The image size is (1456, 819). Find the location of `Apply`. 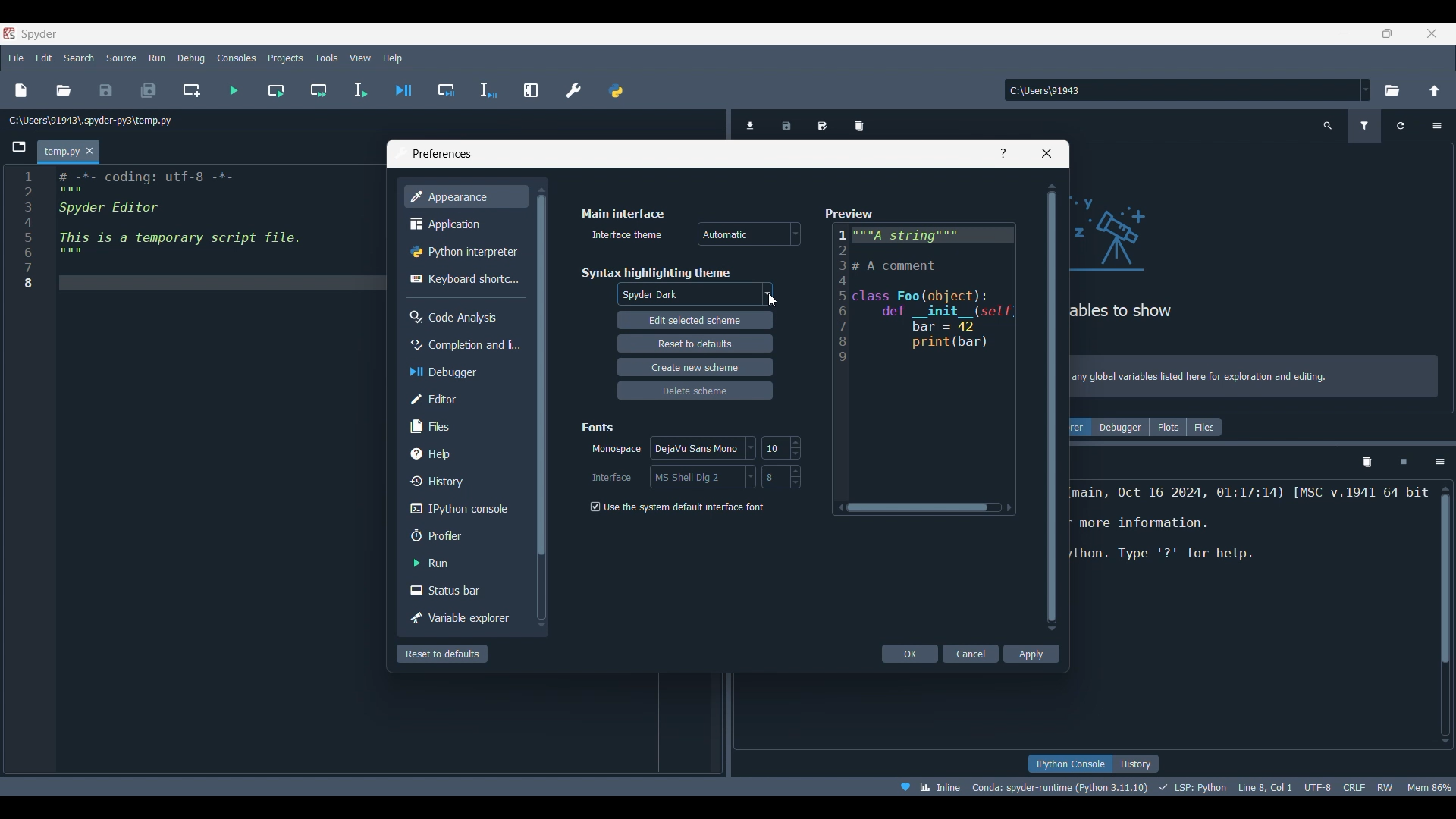

Apply is located at coordinates (1031, 654).